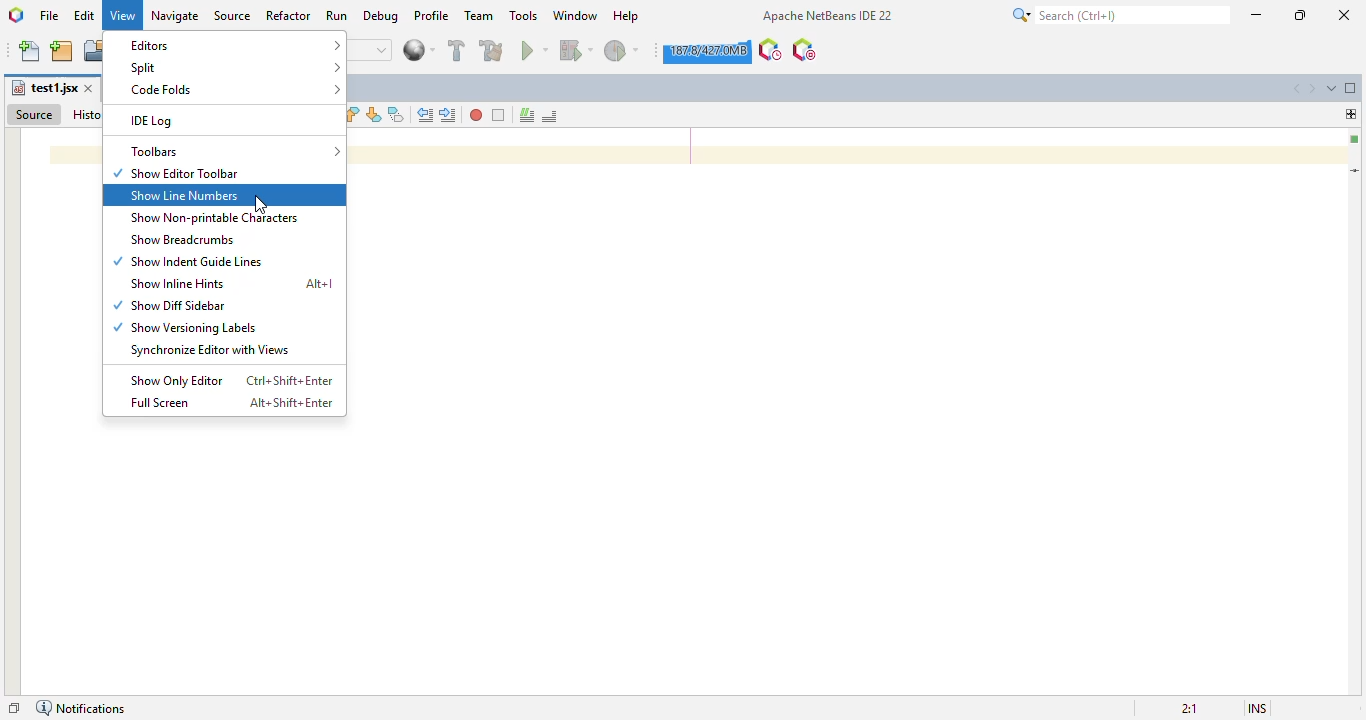  I want to click on stop macro reading, so click(499, 116).